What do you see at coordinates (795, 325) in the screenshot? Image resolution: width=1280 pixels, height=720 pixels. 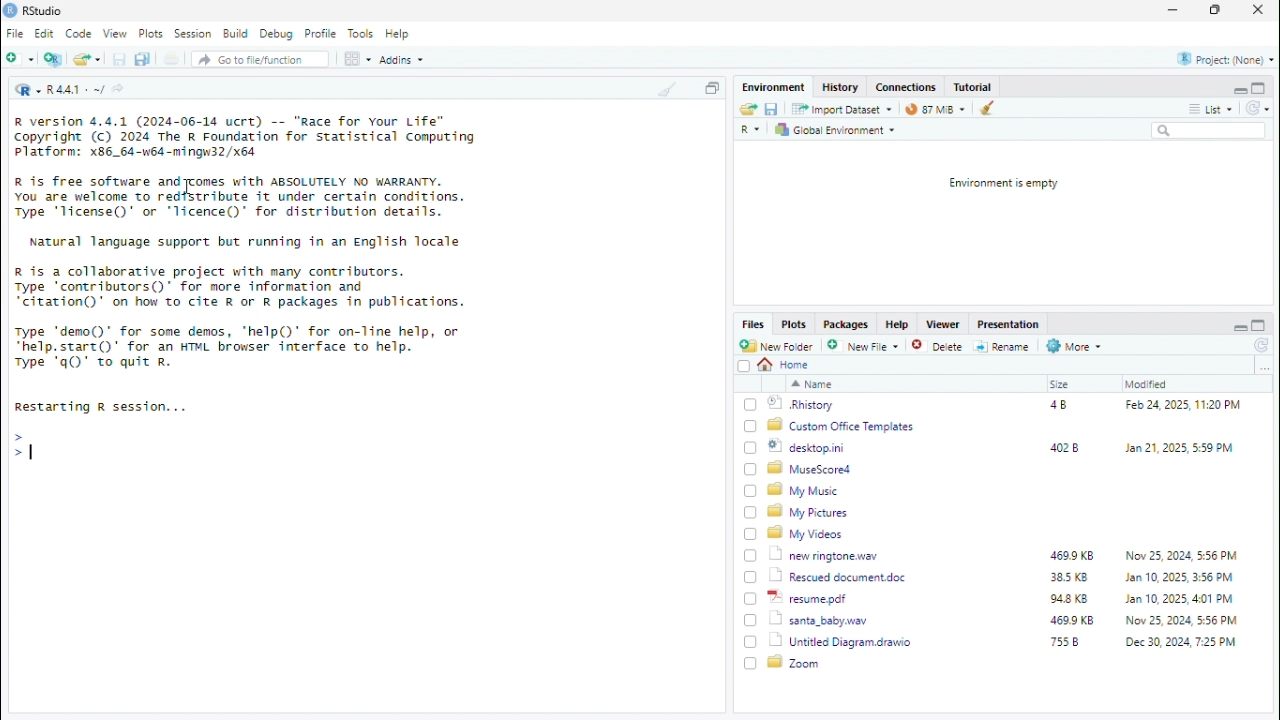 I see `Plots` at bounding box center [795, 325].